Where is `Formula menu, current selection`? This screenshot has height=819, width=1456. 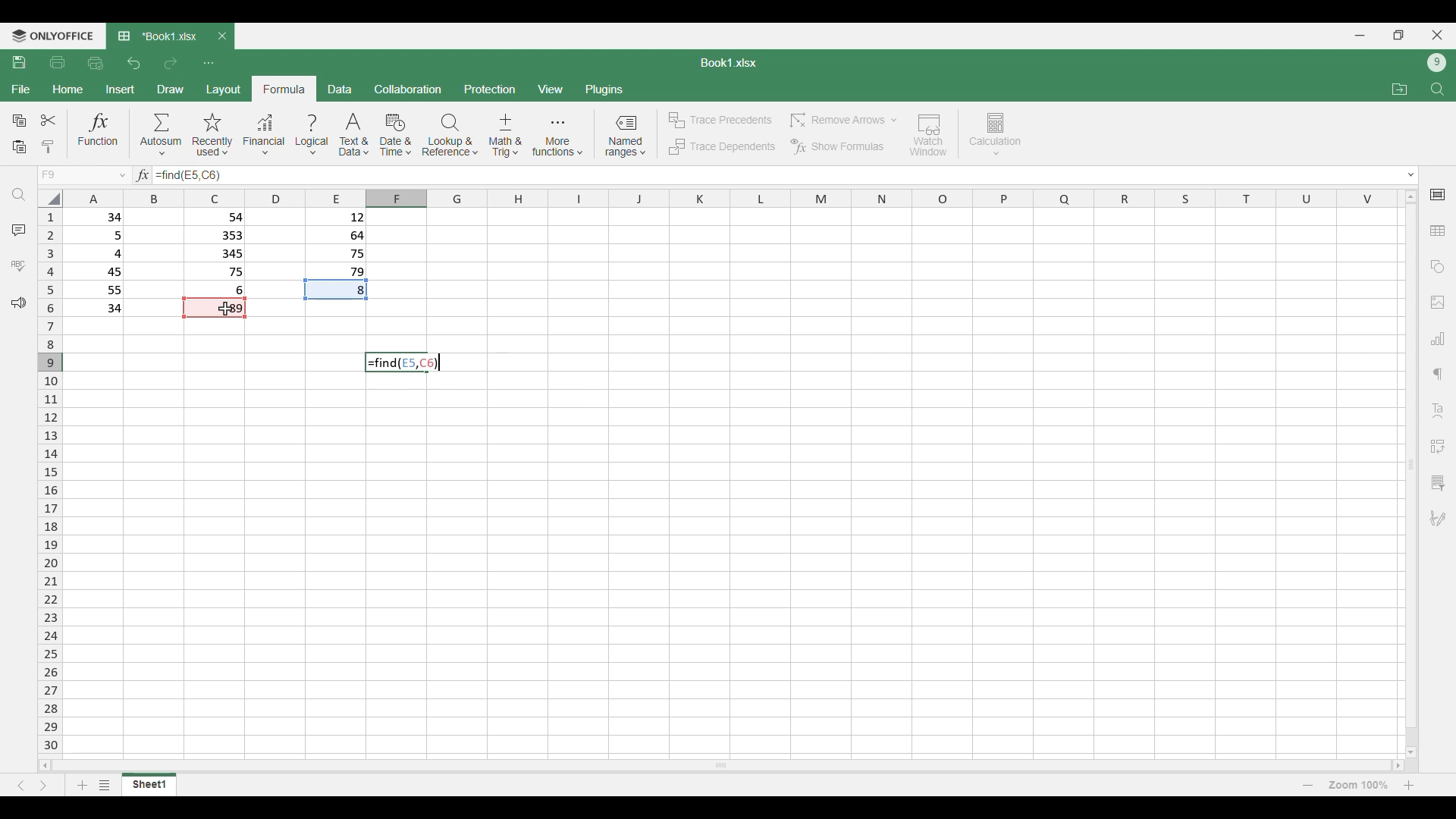 Formula menu, current selection is located at coordinates (285, 89).